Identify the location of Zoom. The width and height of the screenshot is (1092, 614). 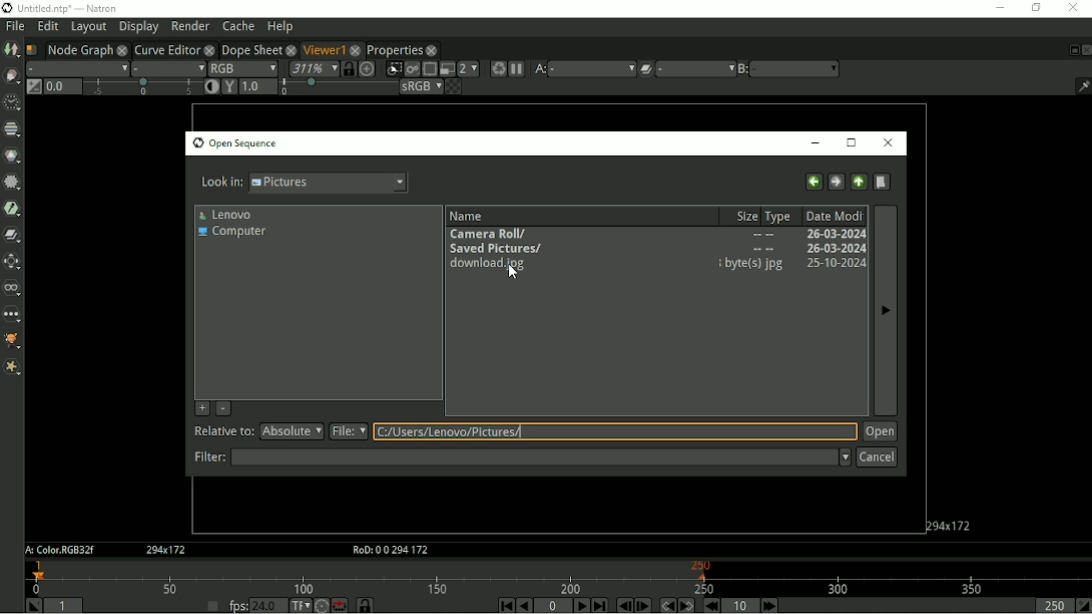
(312, 68).